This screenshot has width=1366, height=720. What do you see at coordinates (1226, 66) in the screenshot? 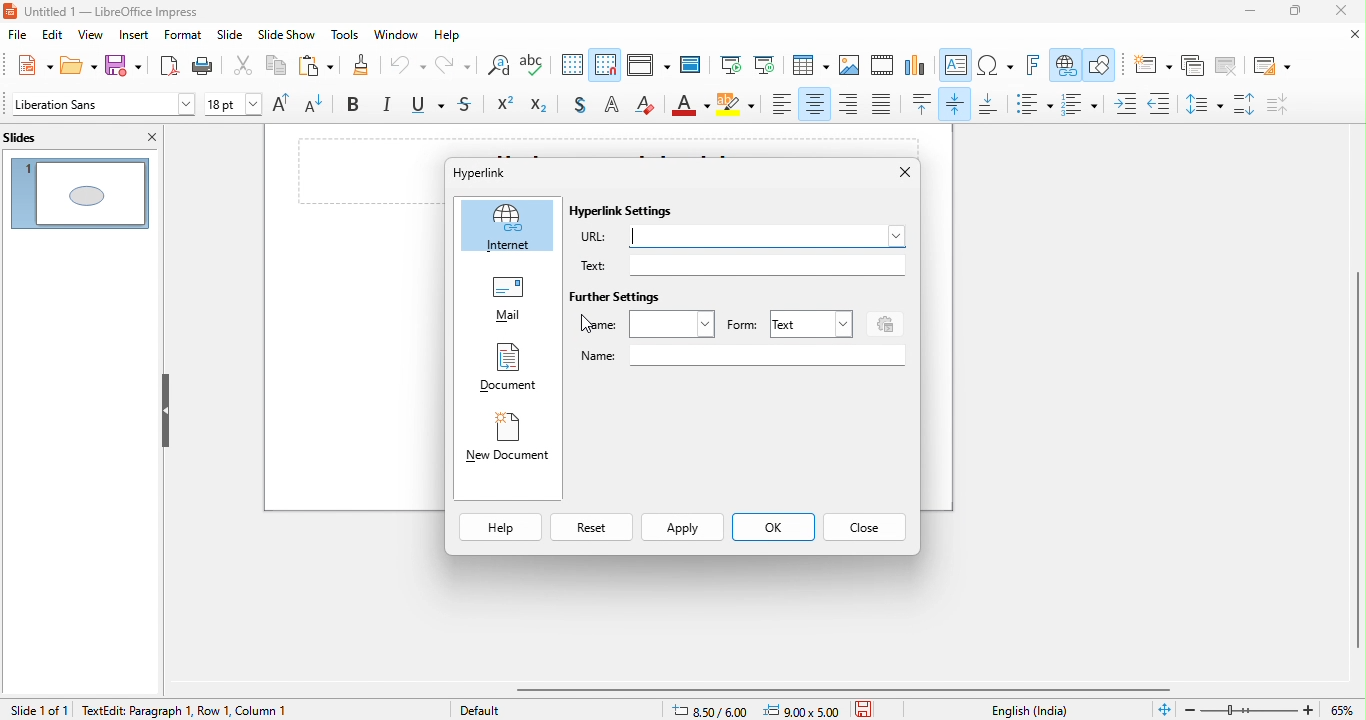
I see `delete slide` at bounding box center [1226, 66].